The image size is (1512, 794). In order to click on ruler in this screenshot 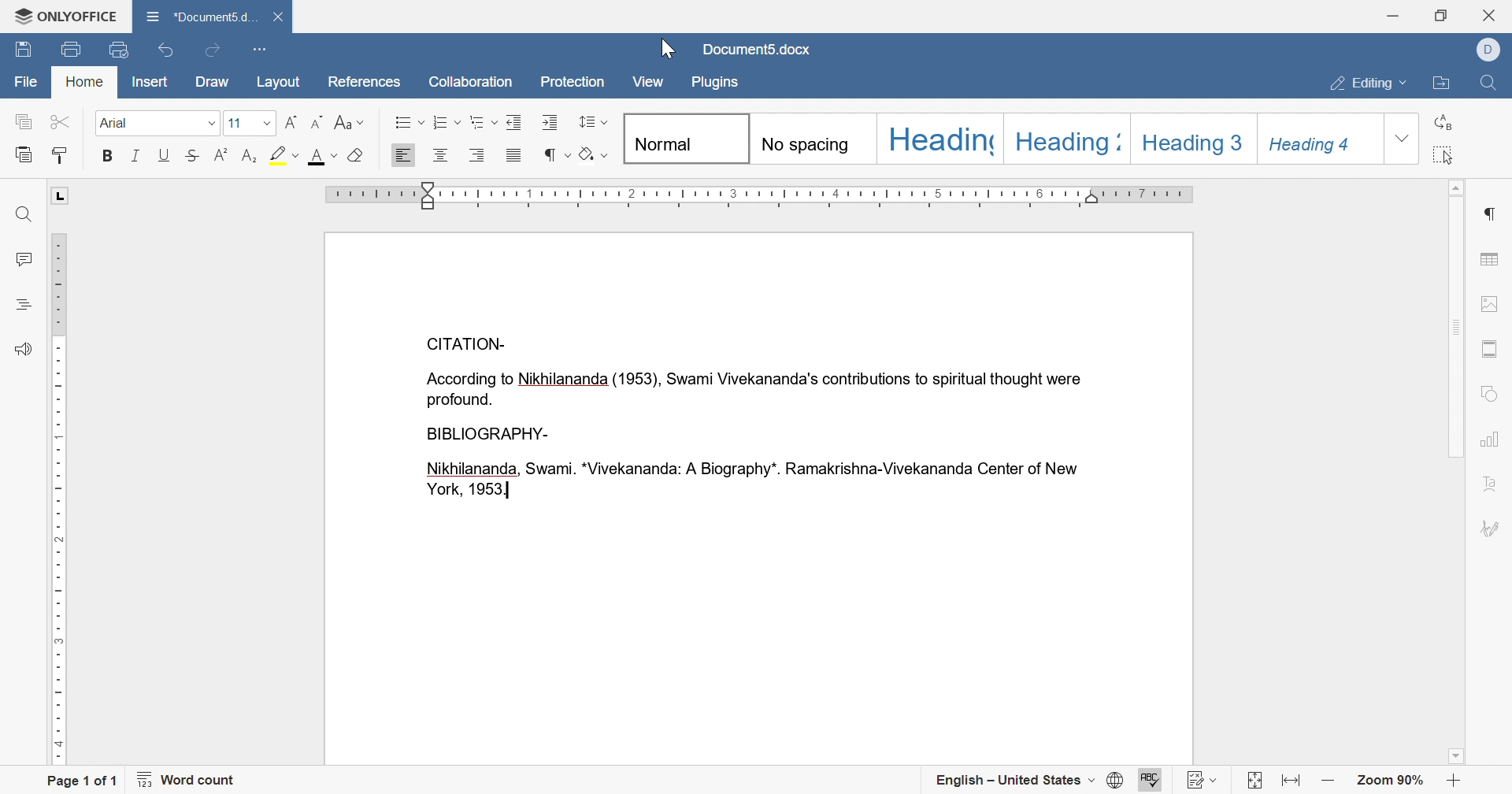, I will do `click(61, 499)`.